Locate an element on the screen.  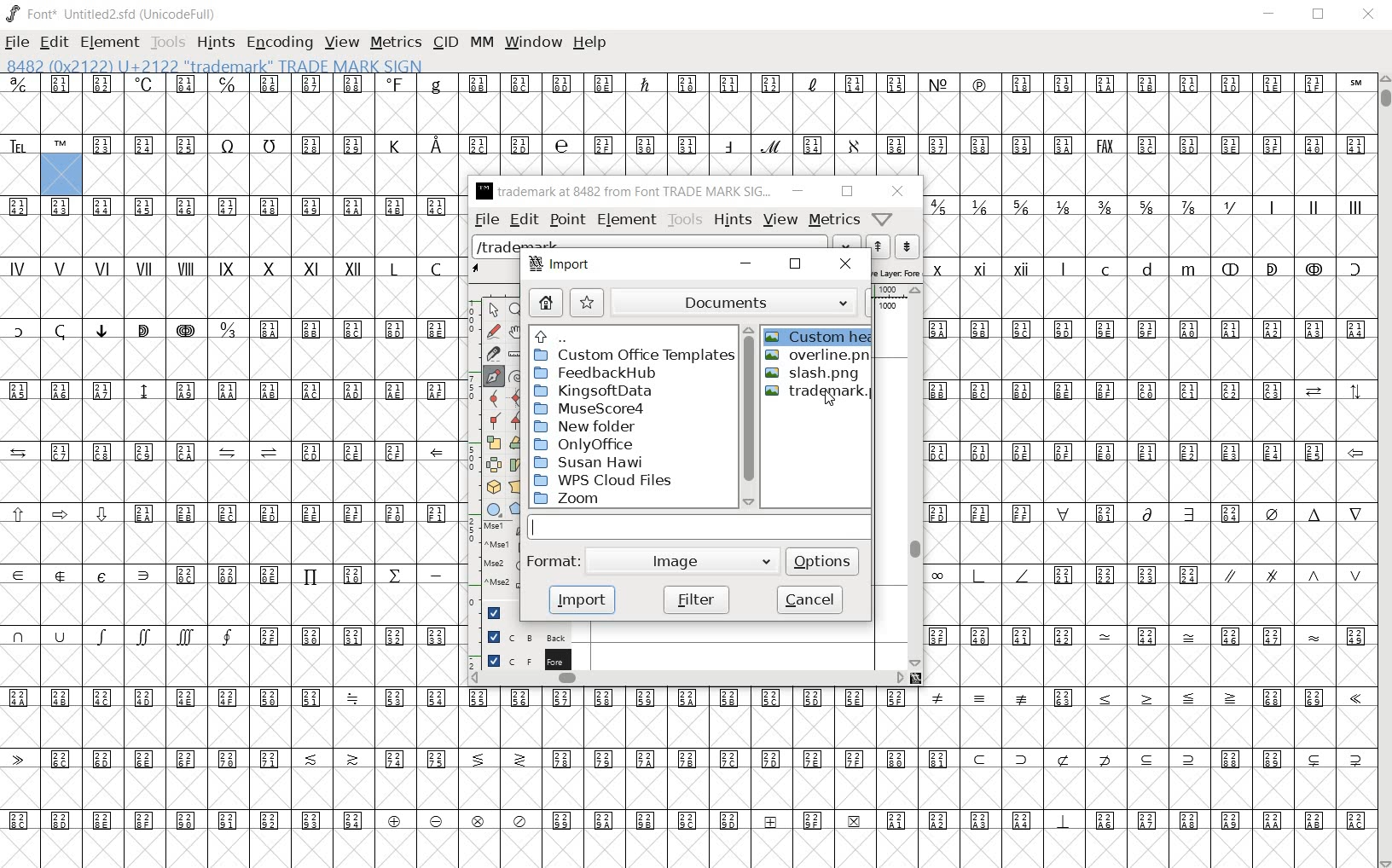
show the next word on the list is located at coordinates (878, 246).